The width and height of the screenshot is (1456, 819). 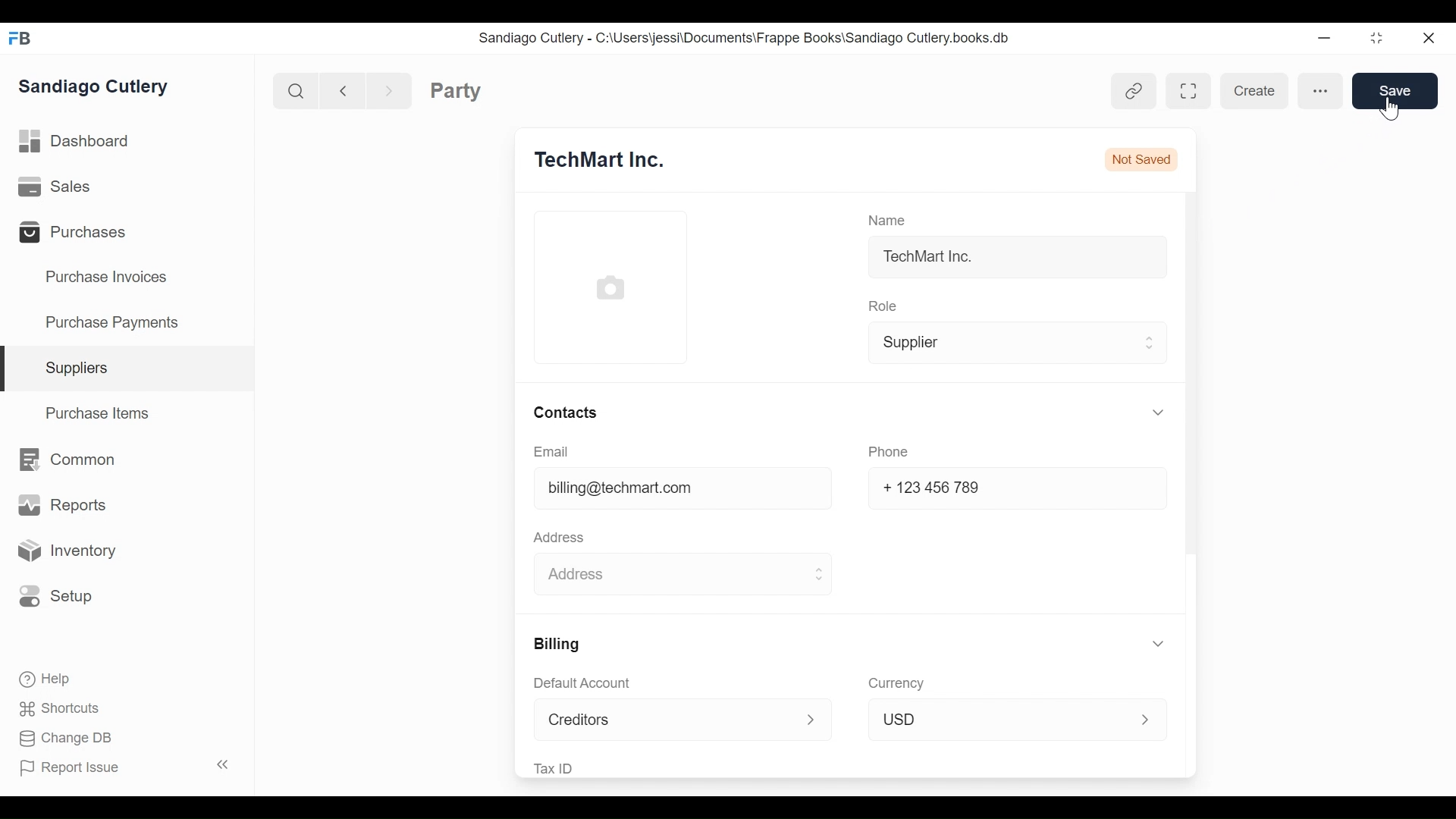 What do you see at coordinates (1252, 91) in the screenshot?
I see `Create` at bounding box center [1252, 91].